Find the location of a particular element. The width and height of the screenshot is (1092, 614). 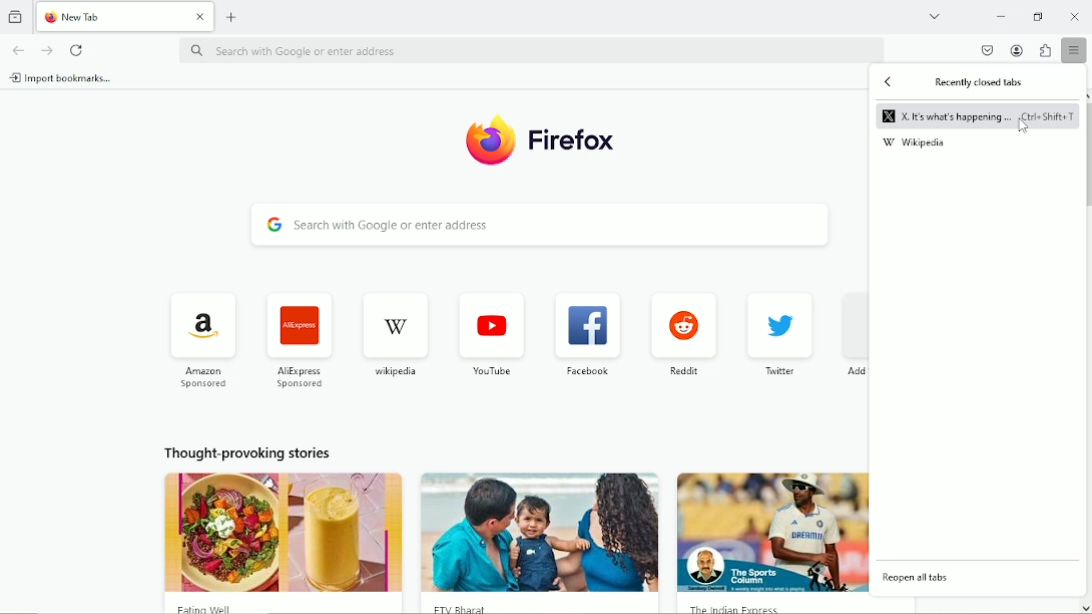

youtube is located at coordinates (490, 373).